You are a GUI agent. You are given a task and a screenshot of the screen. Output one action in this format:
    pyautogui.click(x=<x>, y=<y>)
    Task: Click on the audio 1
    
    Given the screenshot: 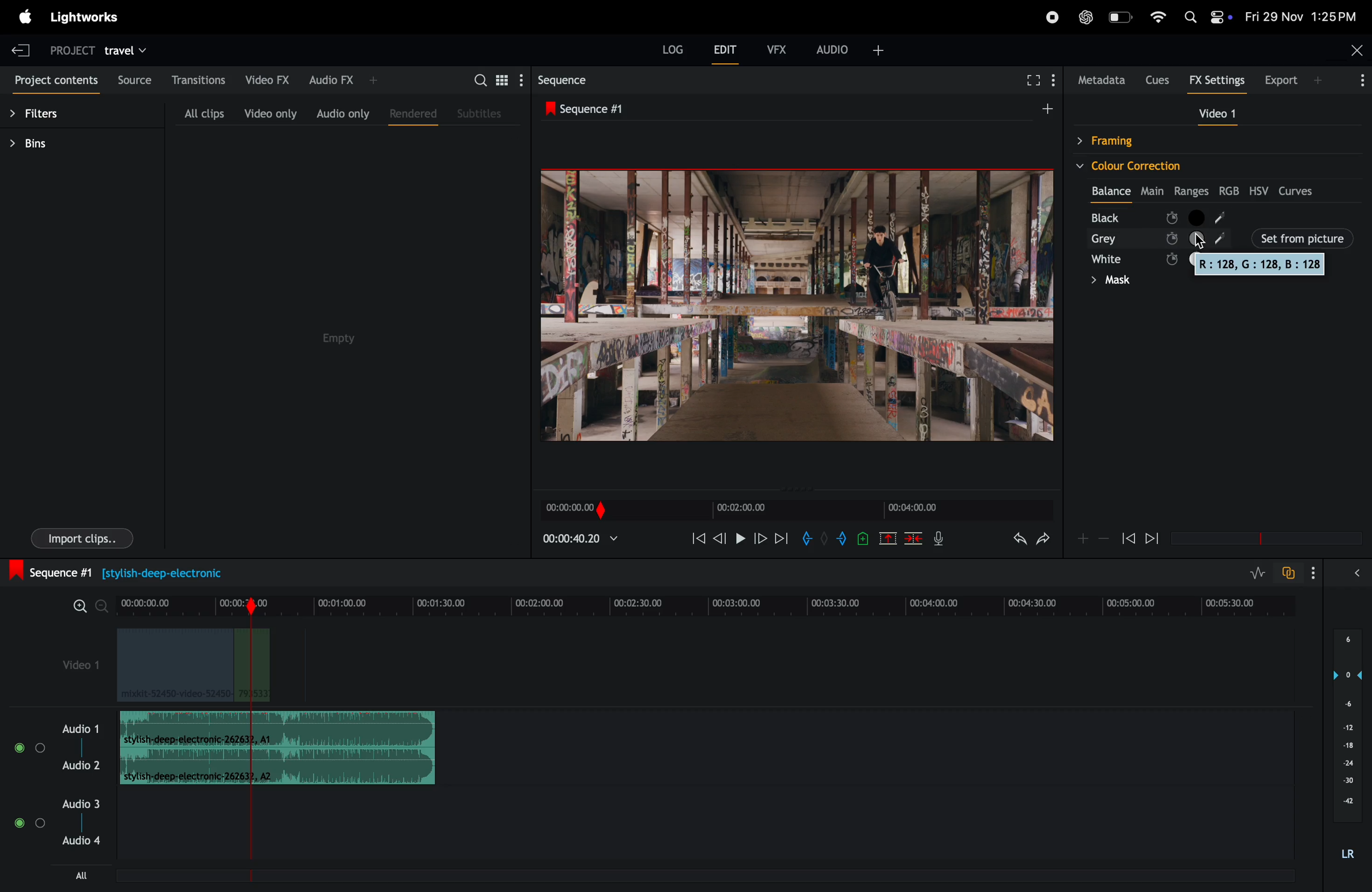 What is the action you would take?
    pyautogui.click(x=78, y=728)
    